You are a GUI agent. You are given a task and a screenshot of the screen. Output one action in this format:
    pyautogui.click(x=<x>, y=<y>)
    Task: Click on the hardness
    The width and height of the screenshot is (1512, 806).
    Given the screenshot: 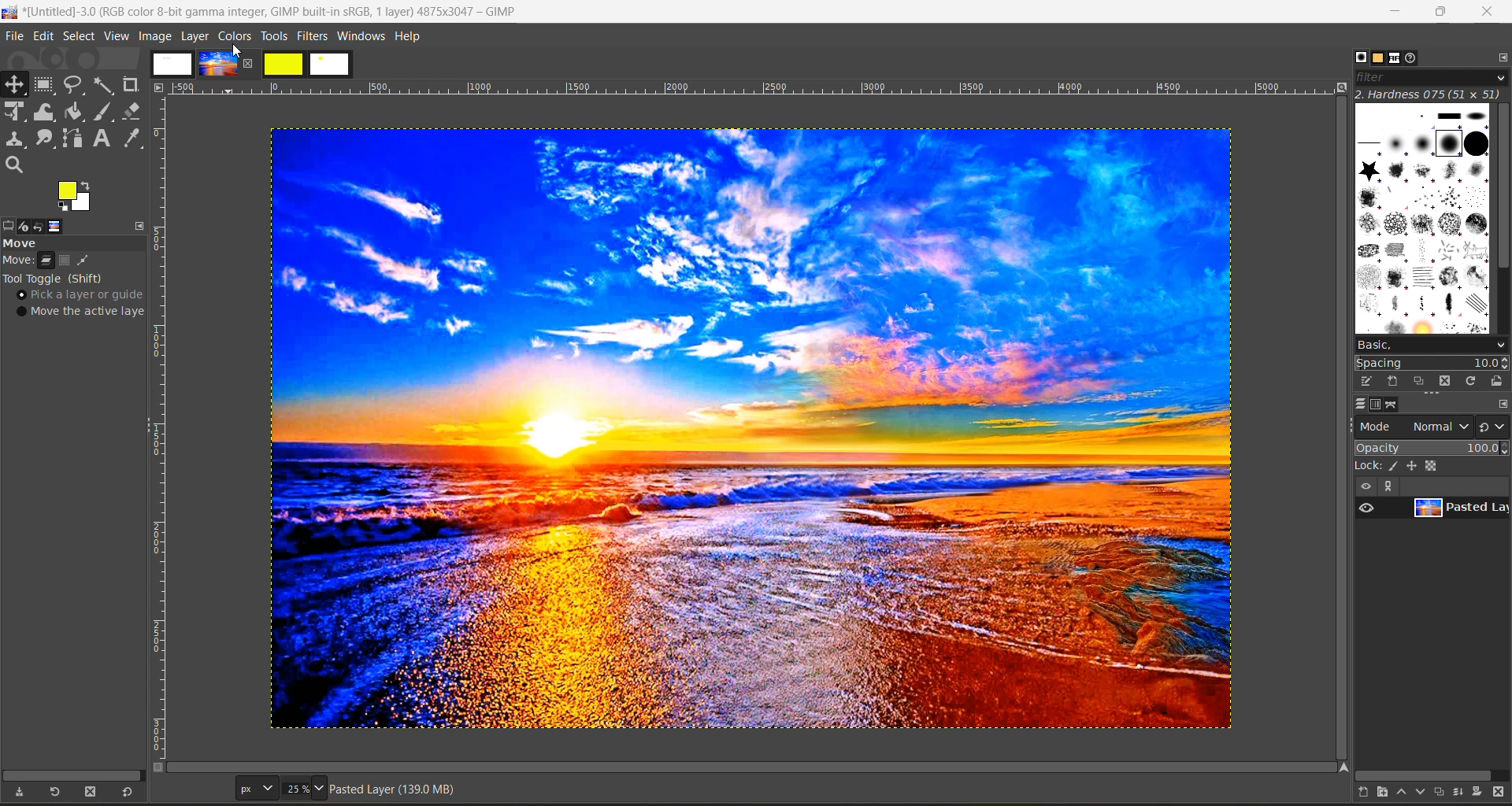 What is the action you would take?
    pyautogui.click(x=1431, y=94)
    